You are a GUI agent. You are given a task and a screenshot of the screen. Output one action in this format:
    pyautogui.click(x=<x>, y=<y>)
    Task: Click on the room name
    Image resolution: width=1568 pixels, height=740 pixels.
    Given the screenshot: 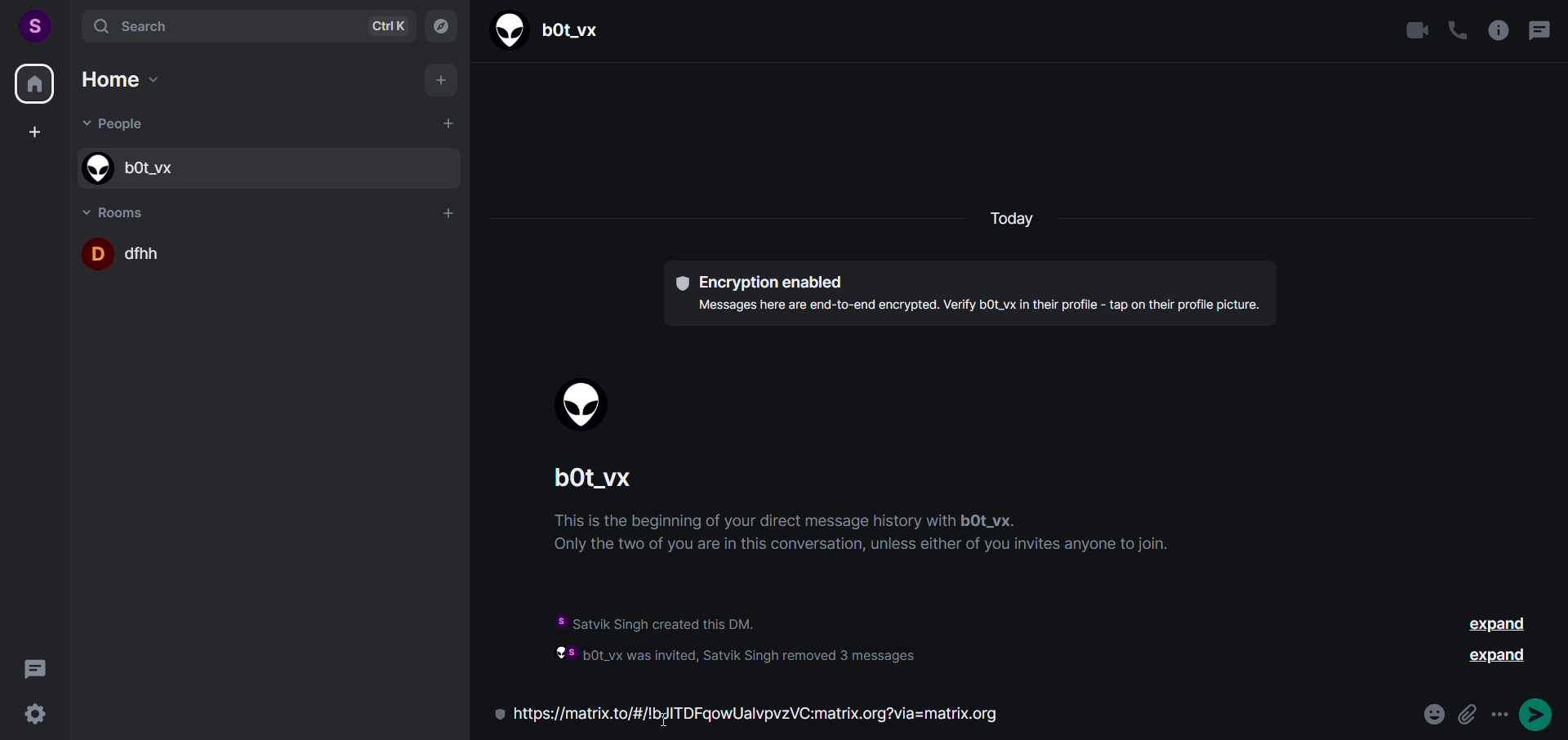 What is the action you would take?
    pyautogui.click(x=269, y=253)
    